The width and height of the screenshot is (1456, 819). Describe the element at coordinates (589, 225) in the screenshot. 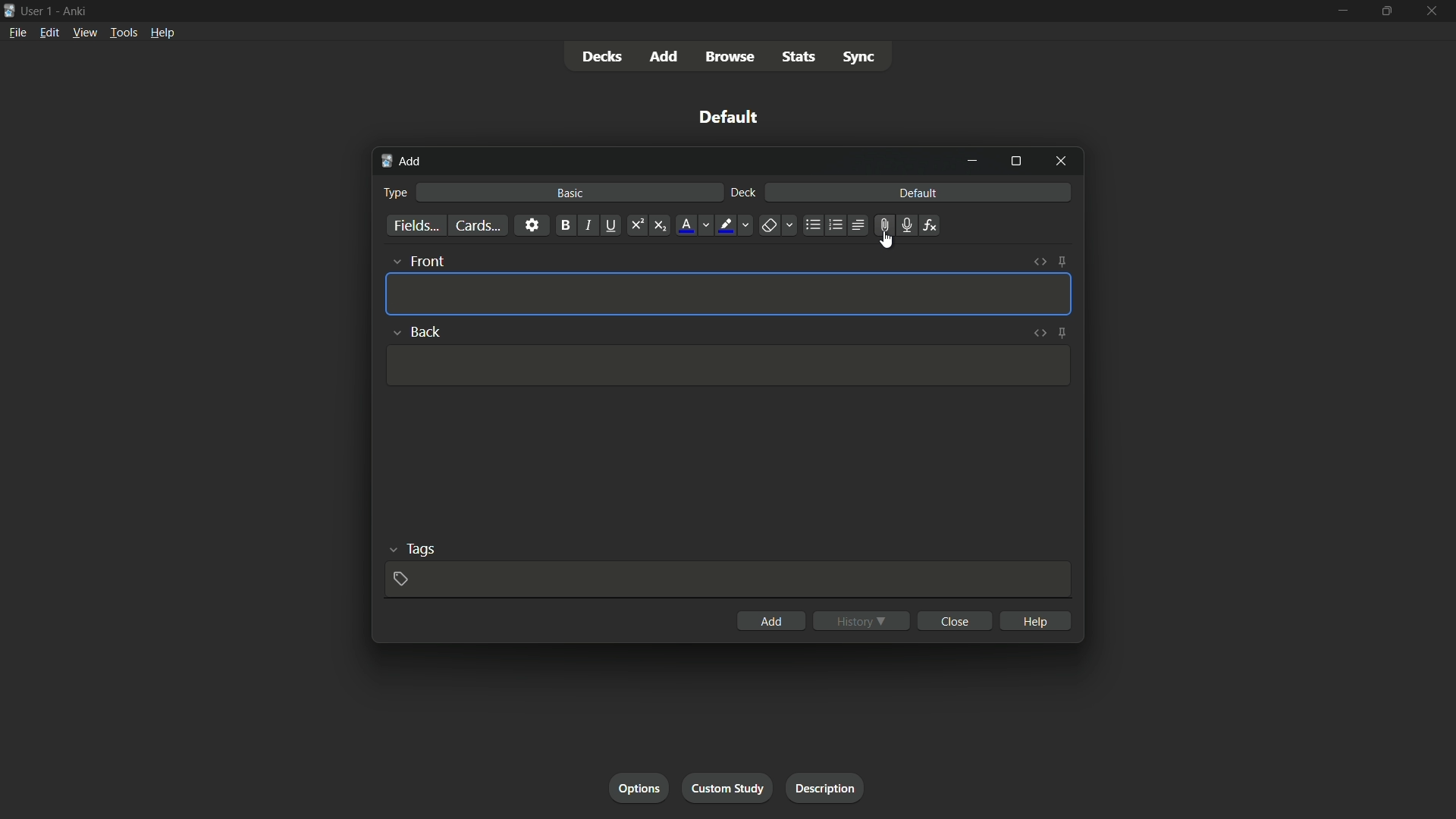

I see `italic` at that location.